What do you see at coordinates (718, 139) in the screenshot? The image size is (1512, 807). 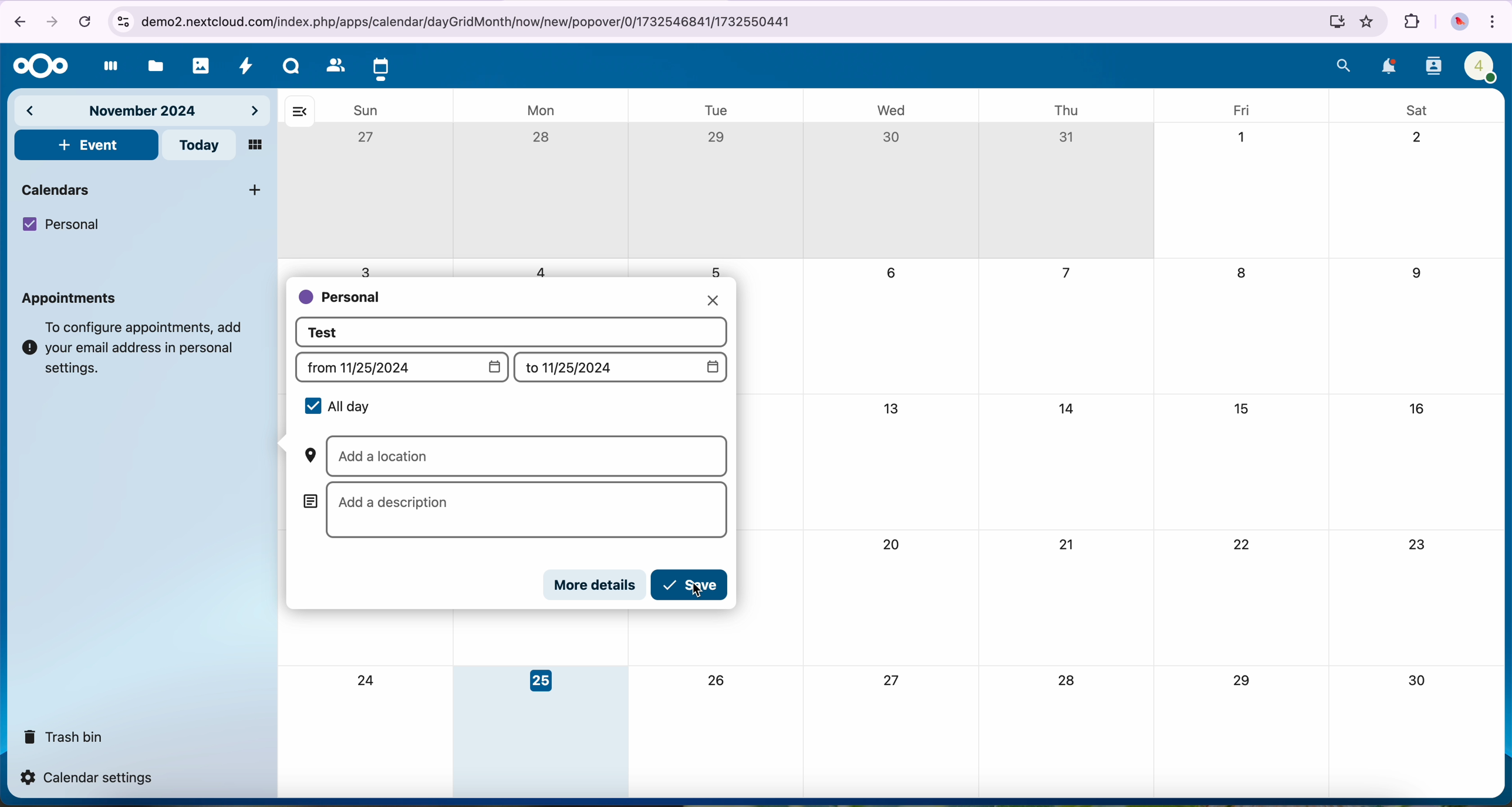 I see `29` at bounding box center [718, 139].